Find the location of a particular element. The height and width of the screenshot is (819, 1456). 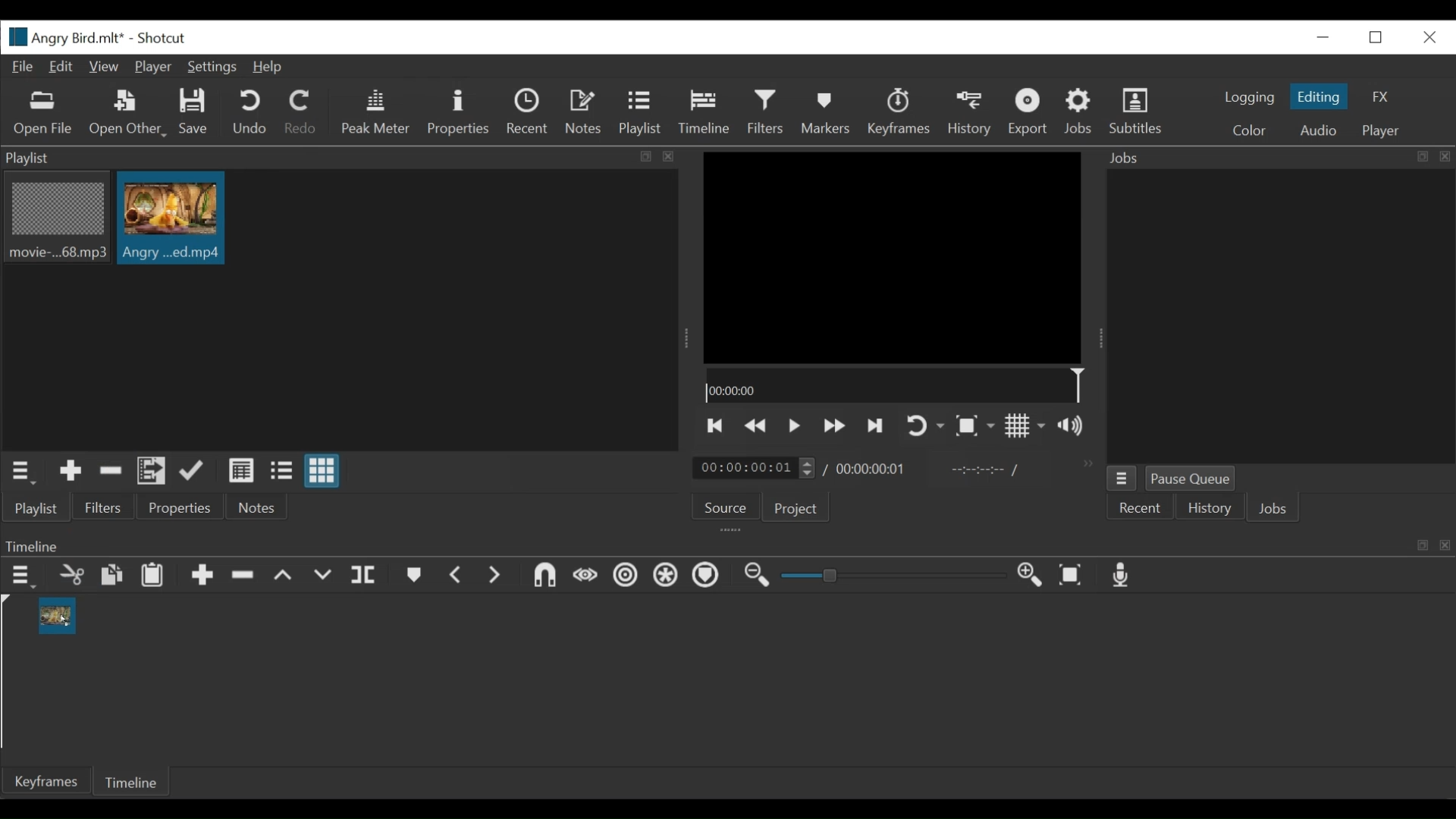

Player is located at coordinates (152, 67).